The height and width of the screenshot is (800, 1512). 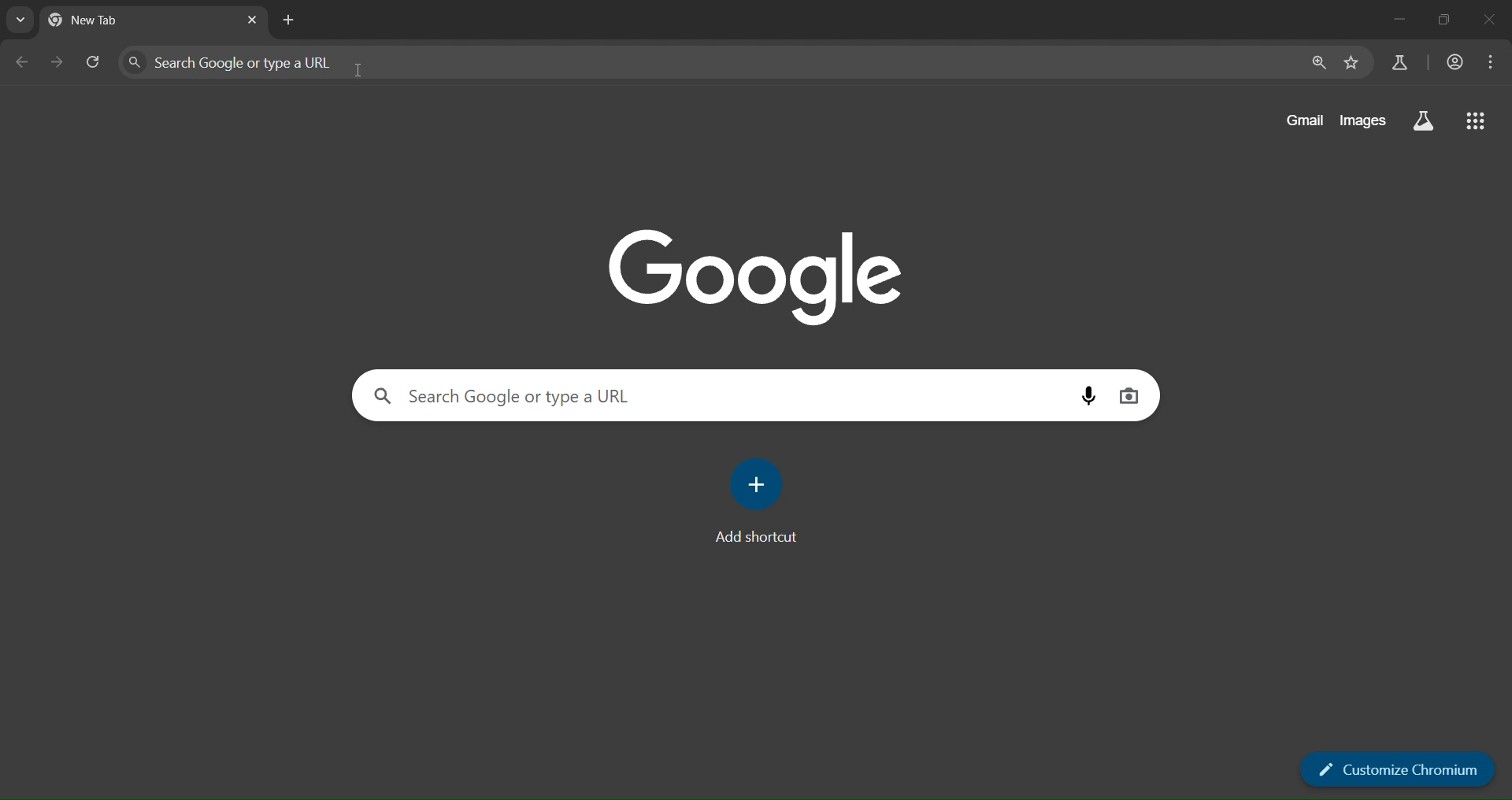 I want to click on images, so click(x=1364, y=119).